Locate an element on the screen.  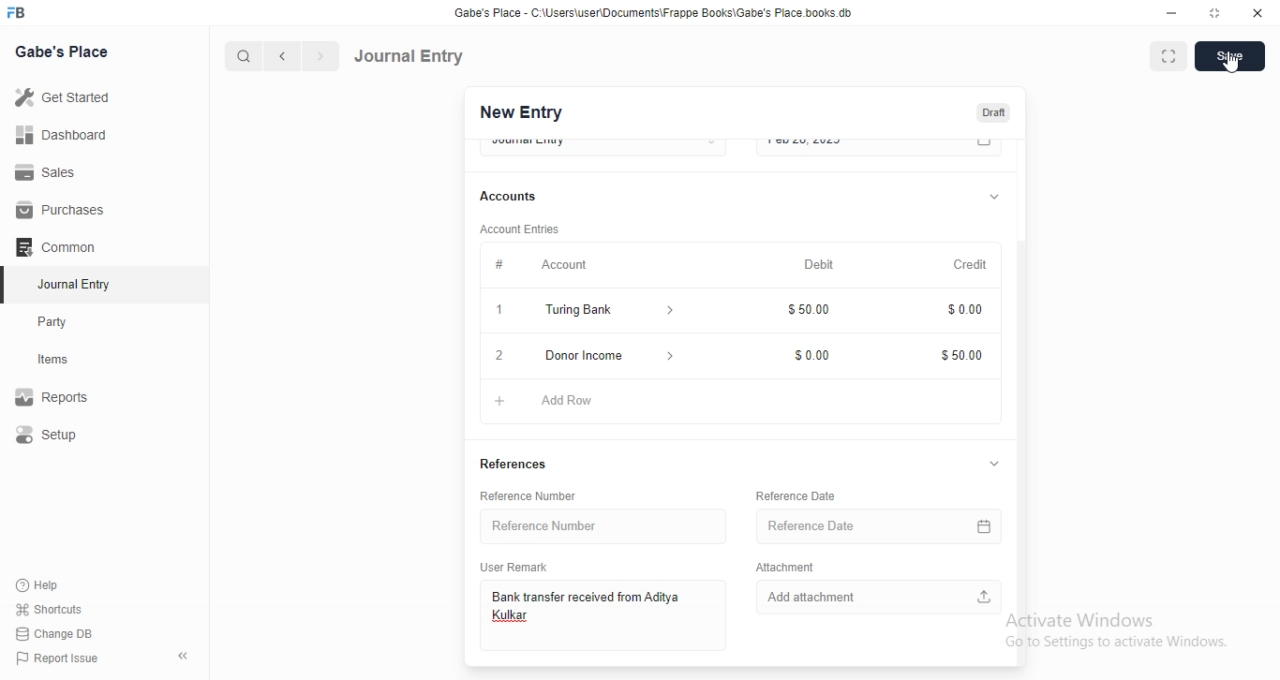
Accounts. is located at coordinates (518, 197).